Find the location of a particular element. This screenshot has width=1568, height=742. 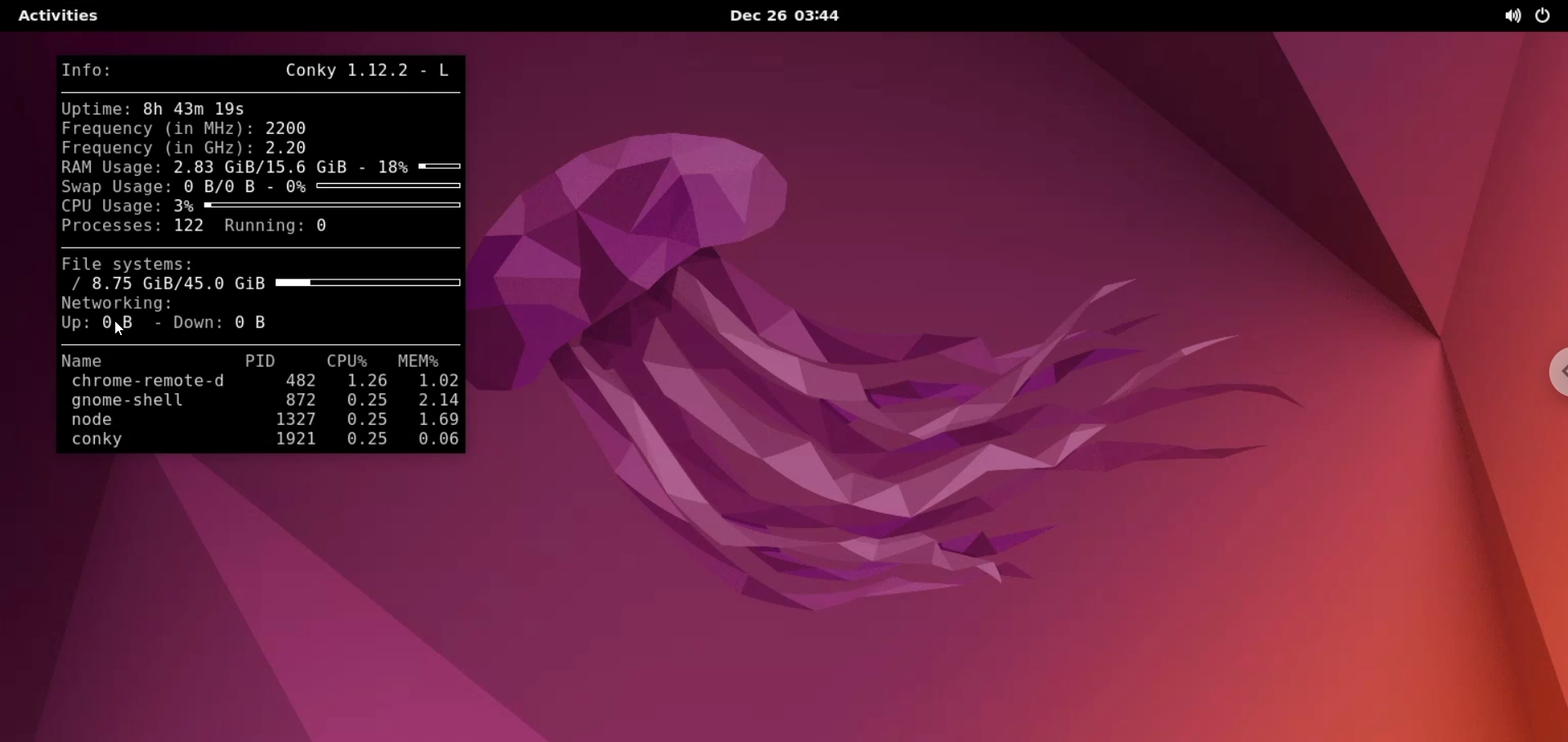

1.69 is located at coordinates (439, 420).